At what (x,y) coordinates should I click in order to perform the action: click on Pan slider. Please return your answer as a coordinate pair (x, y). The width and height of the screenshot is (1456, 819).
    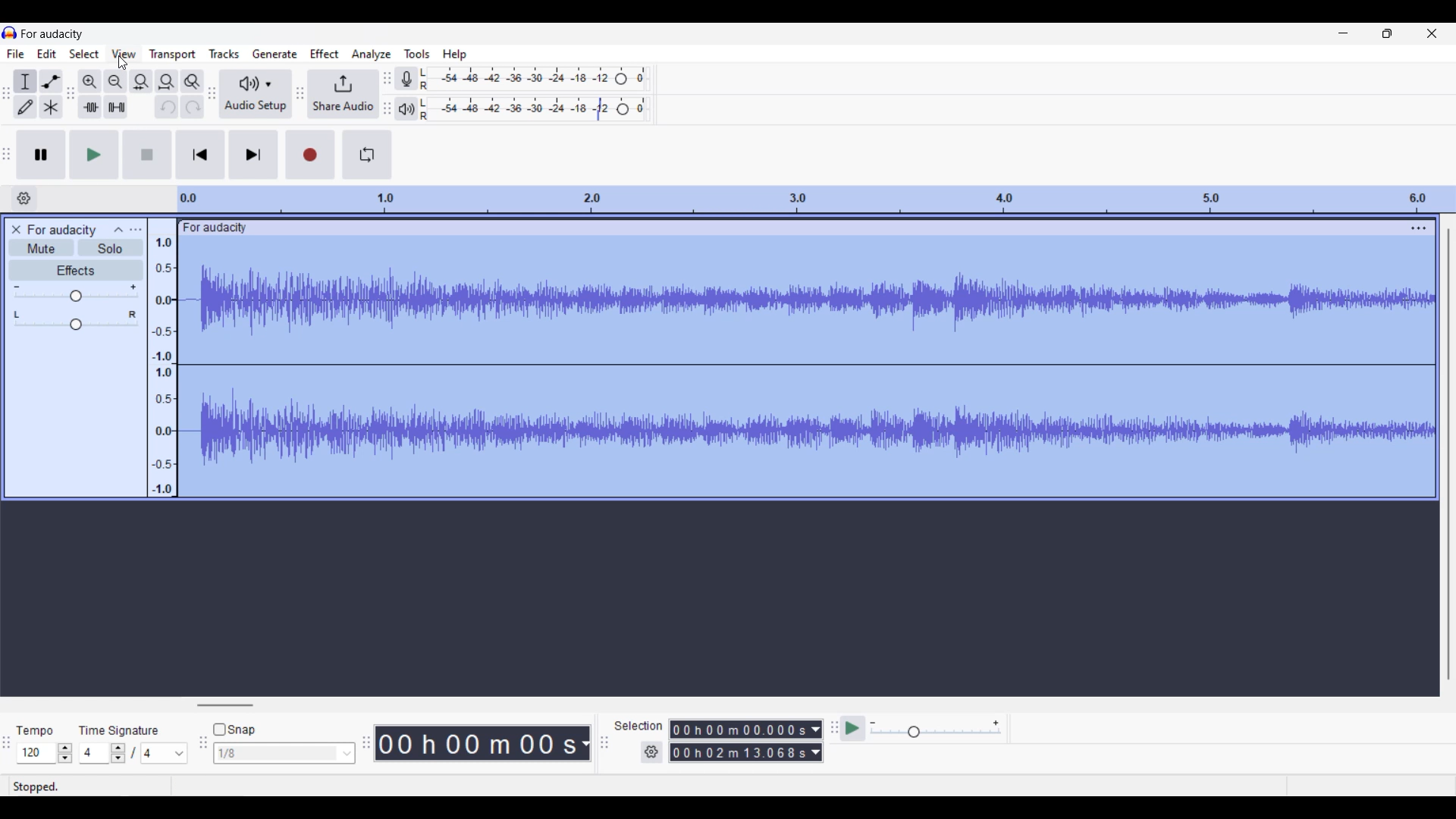
    Looking at the image, I should click on (76, 321).